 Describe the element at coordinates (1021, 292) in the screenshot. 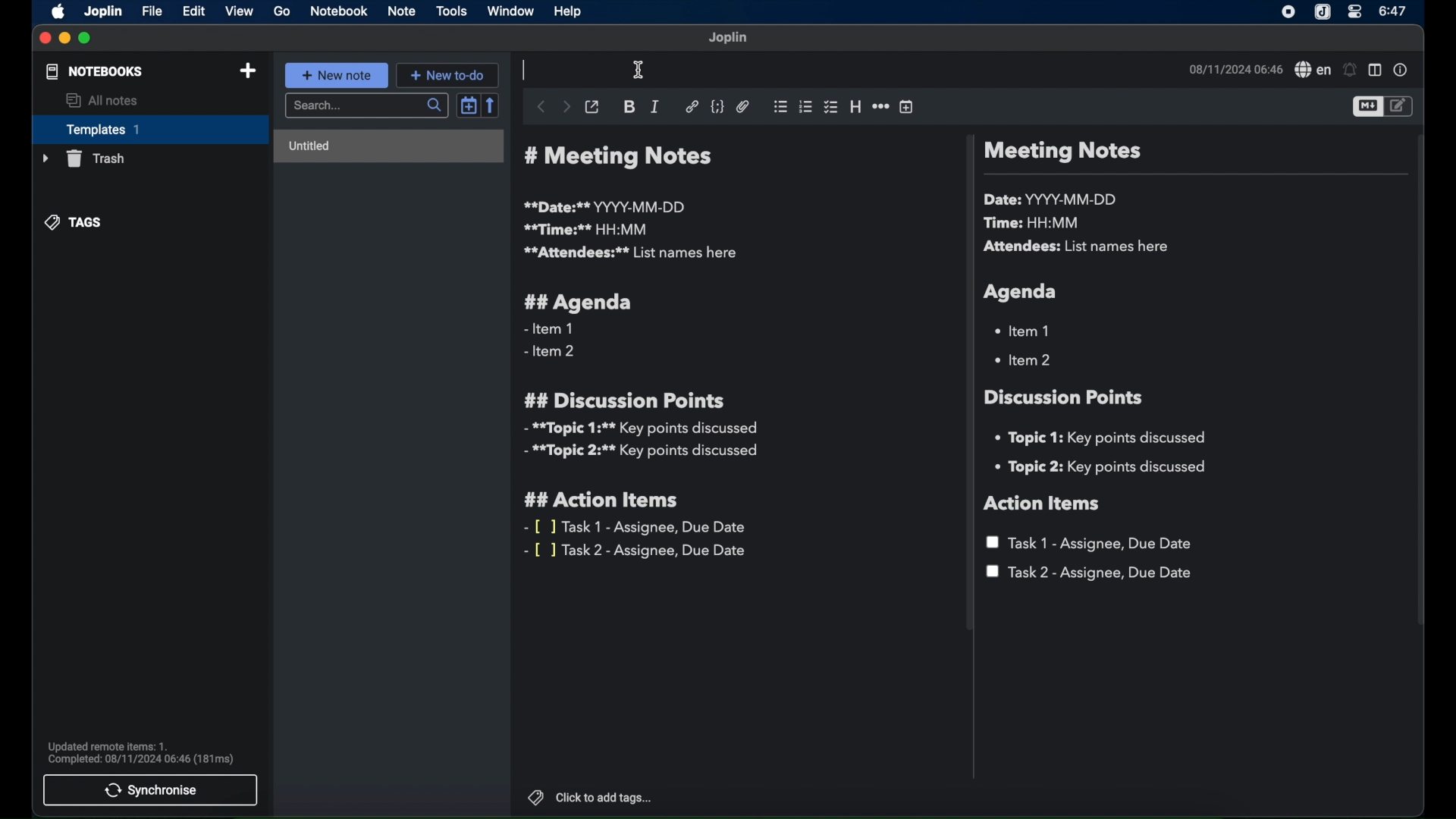

I see `agenda` at that location.